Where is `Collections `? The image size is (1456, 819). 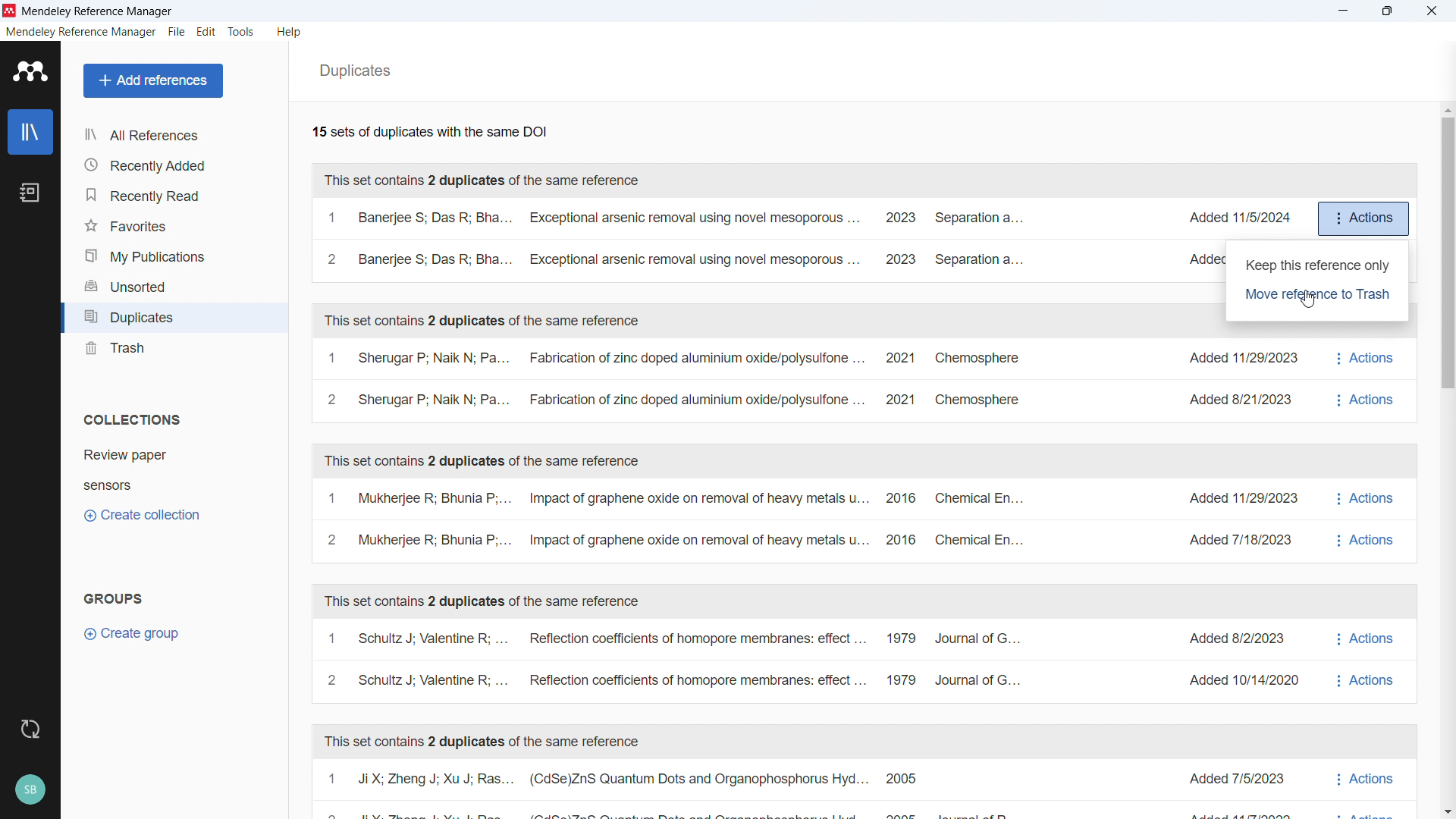
Collections  is located at coordinates (133, 420).